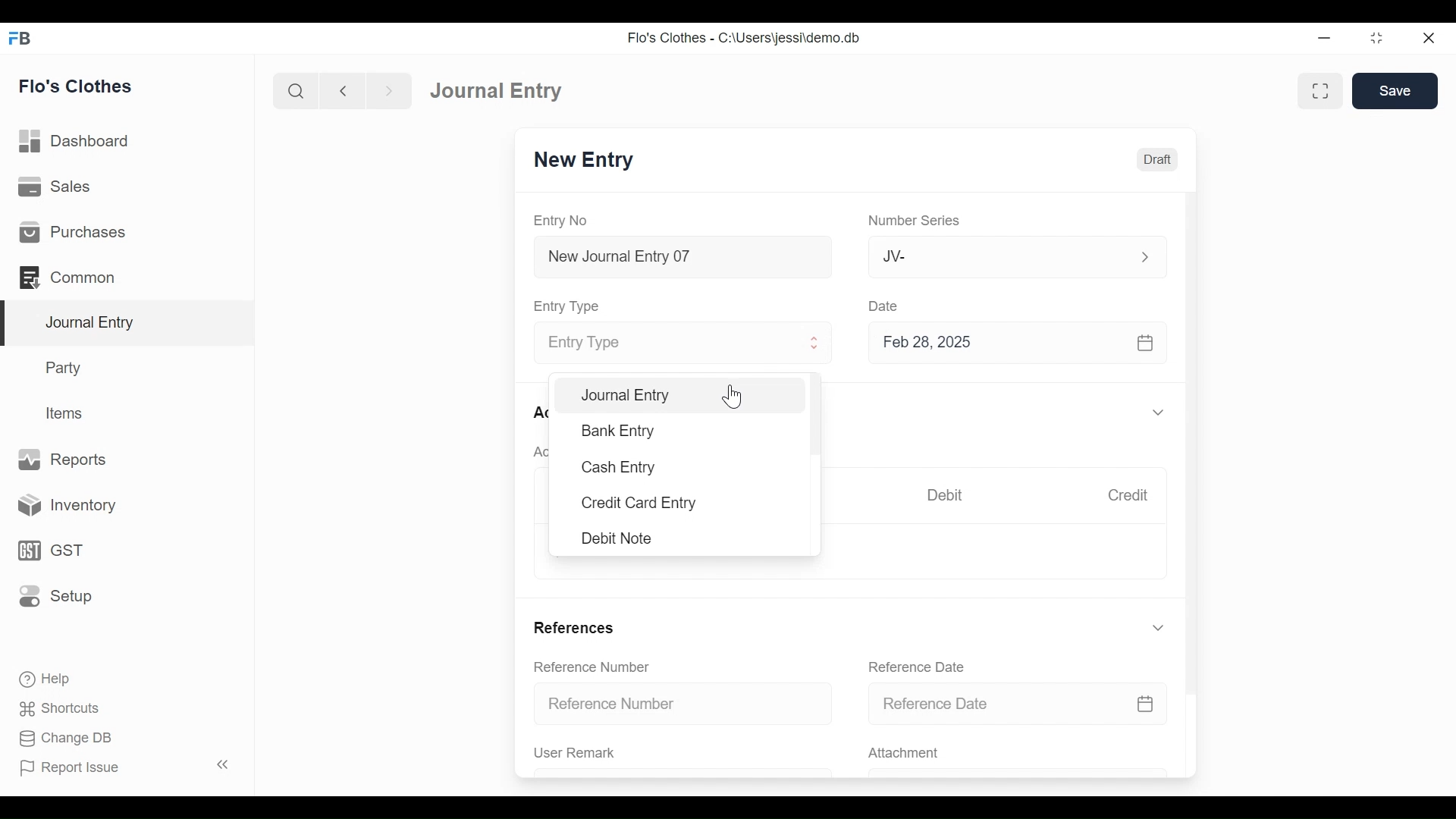  Describe the element at coordinates (1154, 160) in the screenshot. I see `Draft` at that location.